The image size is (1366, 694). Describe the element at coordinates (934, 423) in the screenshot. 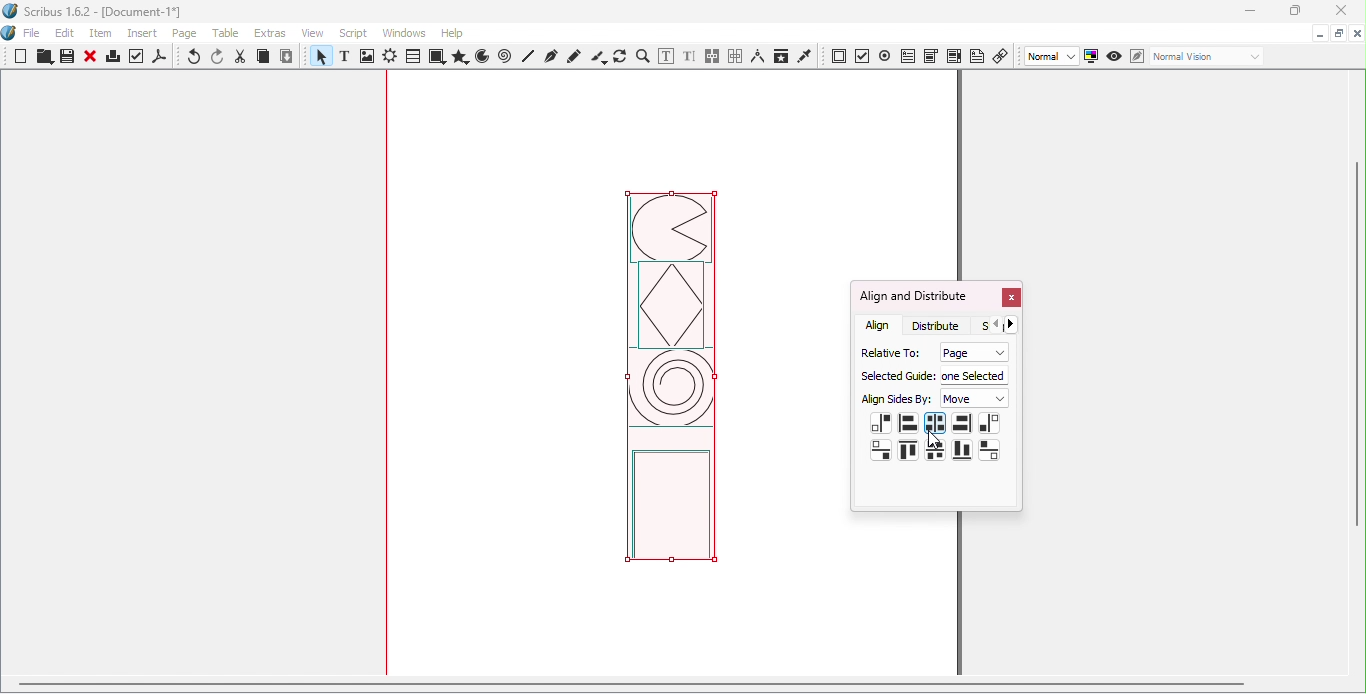

I see `Center on vertical axis` at that location.